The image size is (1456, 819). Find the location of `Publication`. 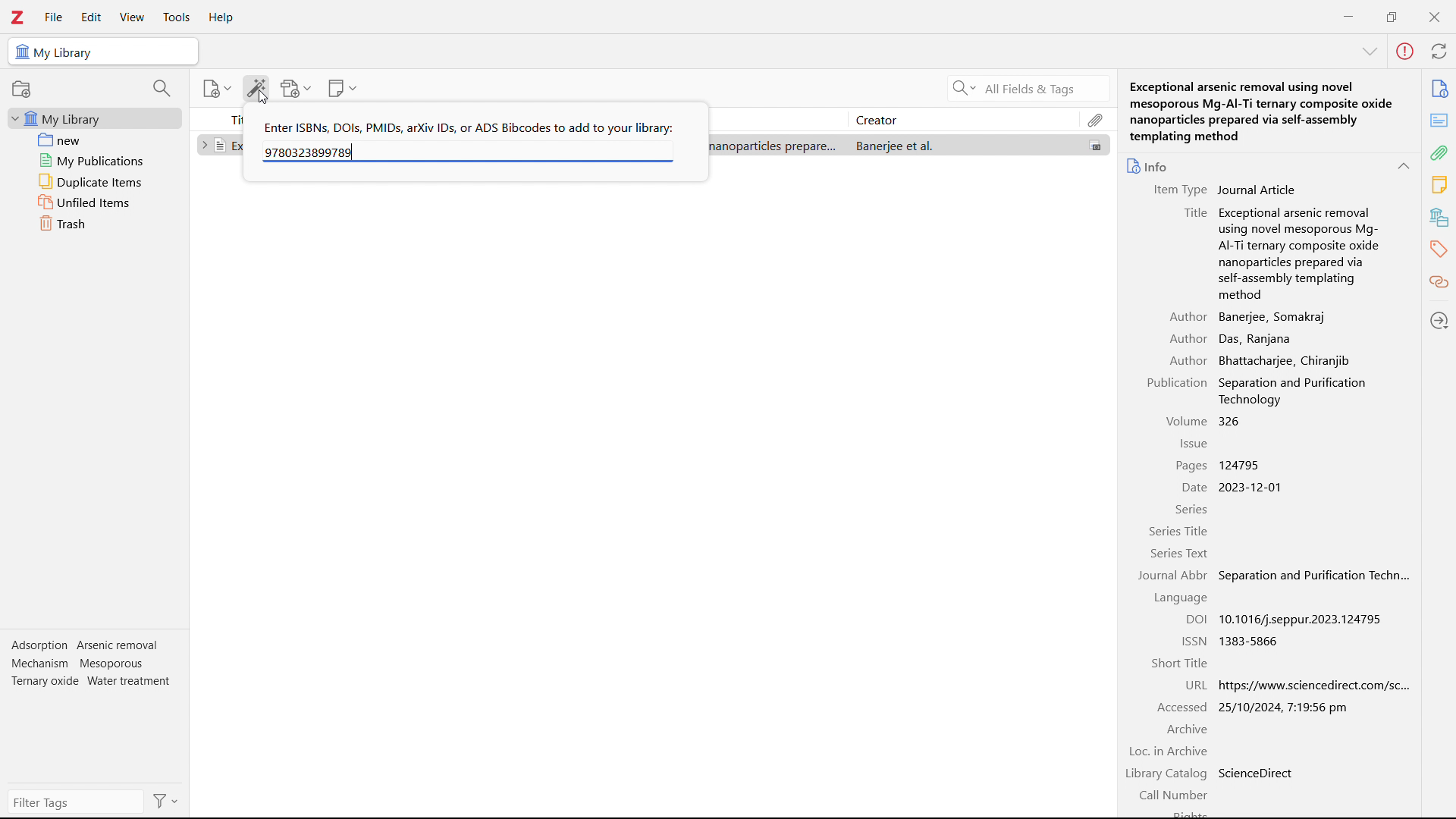

Publication is located at coordinates (1178, 383).